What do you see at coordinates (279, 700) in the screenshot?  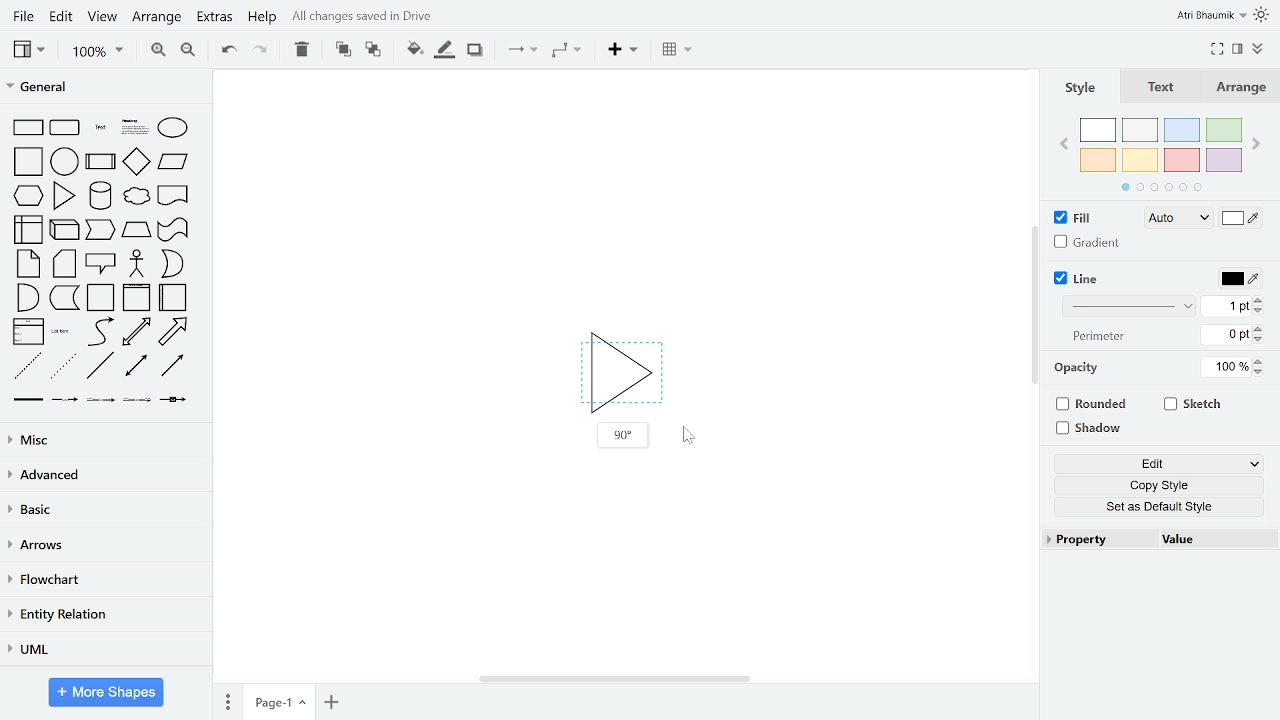 I see `current page` at bounding box center [279, 700].